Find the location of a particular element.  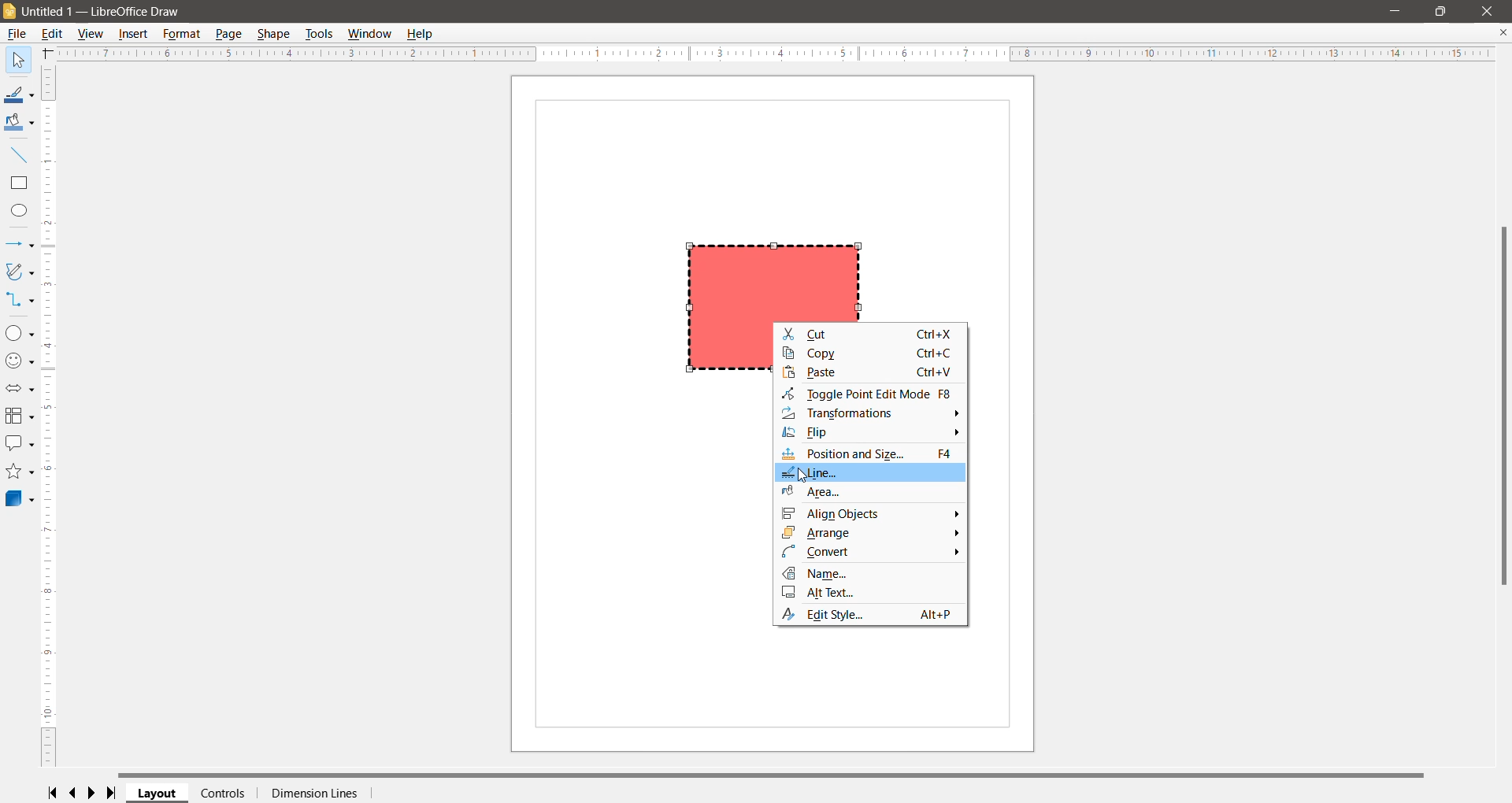

Paste is located at coordinates (866, 372).